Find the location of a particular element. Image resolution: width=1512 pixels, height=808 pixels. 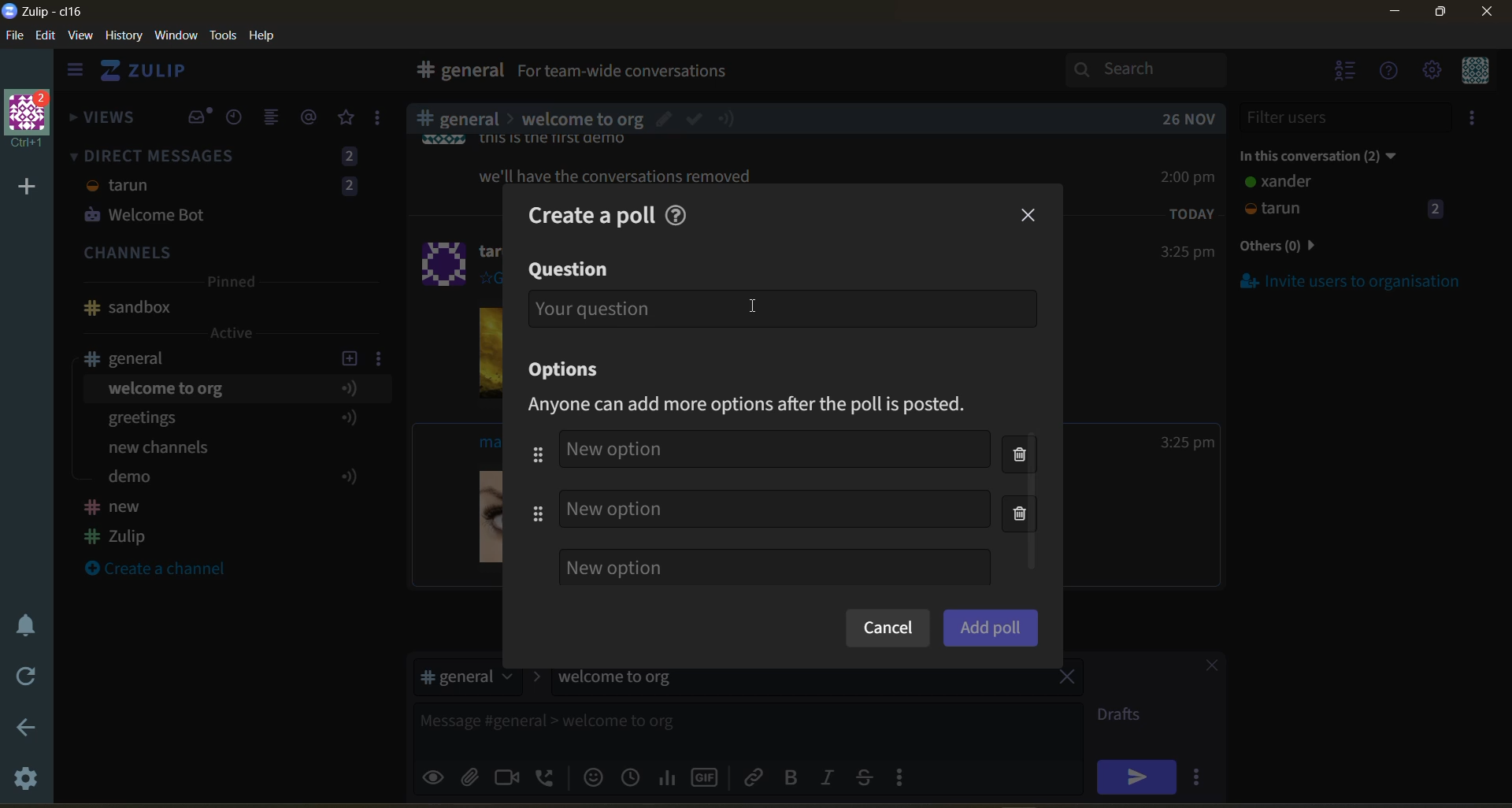

send options is located at coordinates (1201, 776).